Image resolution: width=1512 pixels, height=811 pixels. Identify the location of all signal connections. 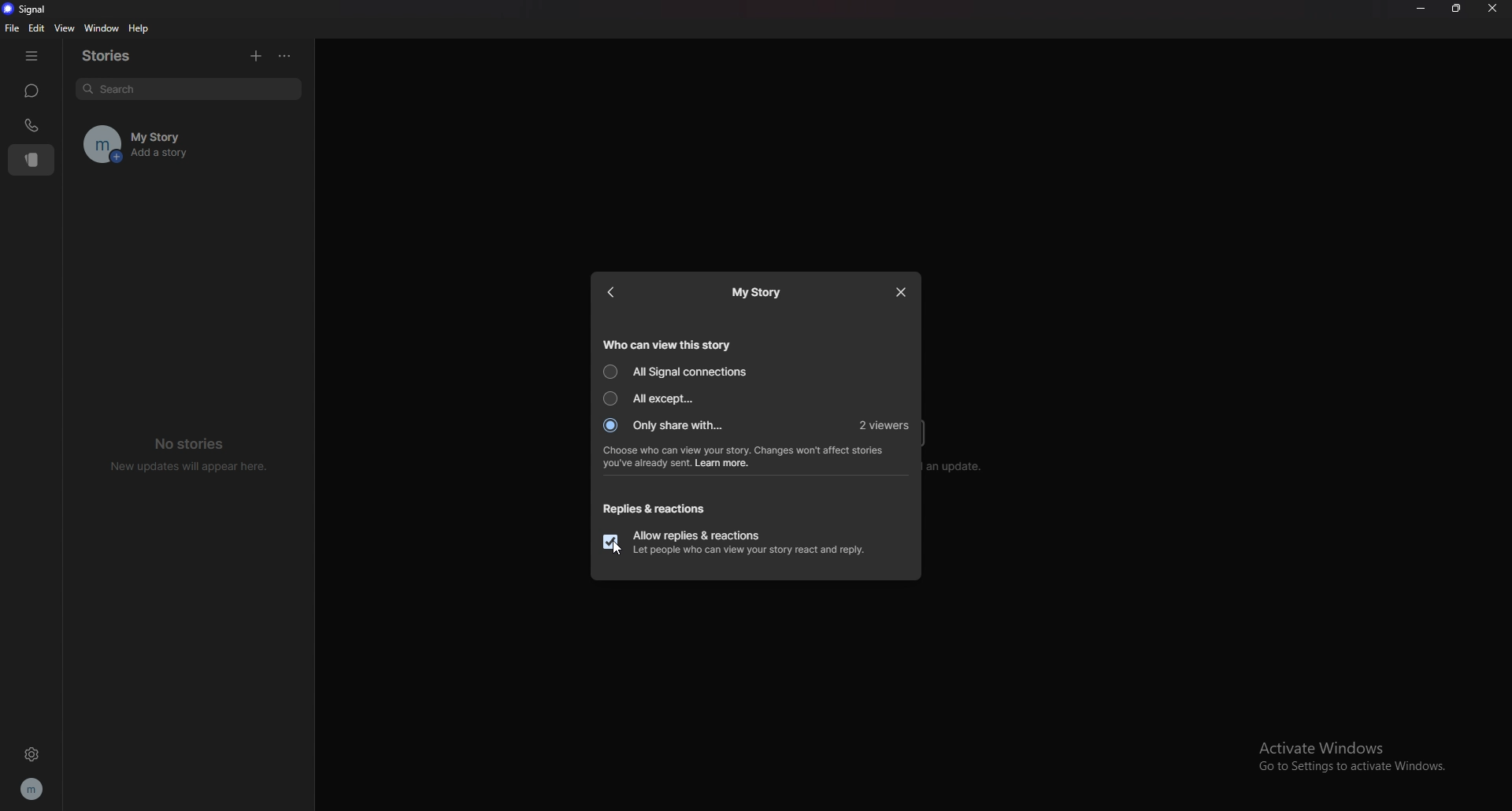
(677, 371).